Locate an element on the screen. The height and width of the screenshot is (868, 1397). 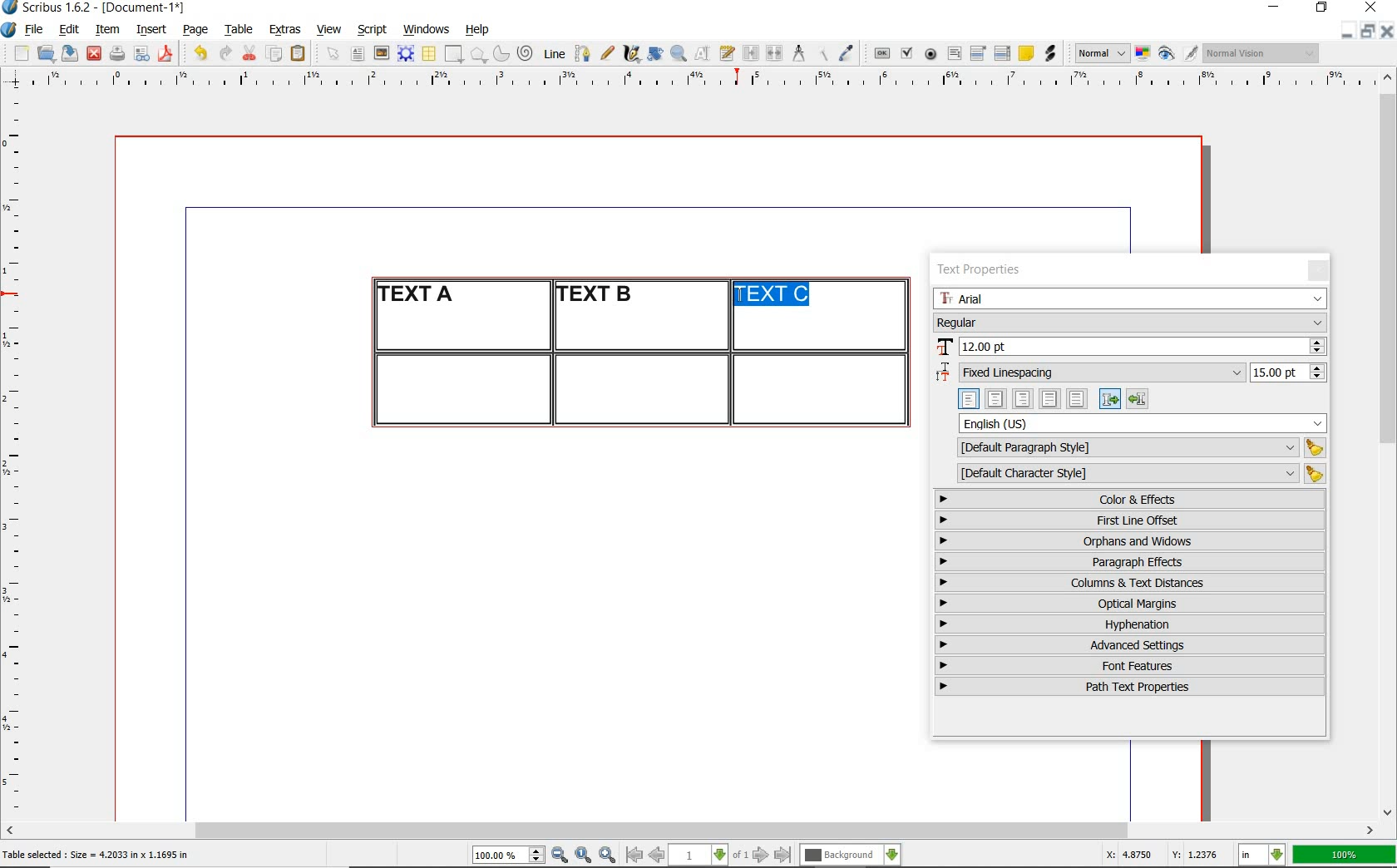
go to previous page is located at coordinates (656, 856).